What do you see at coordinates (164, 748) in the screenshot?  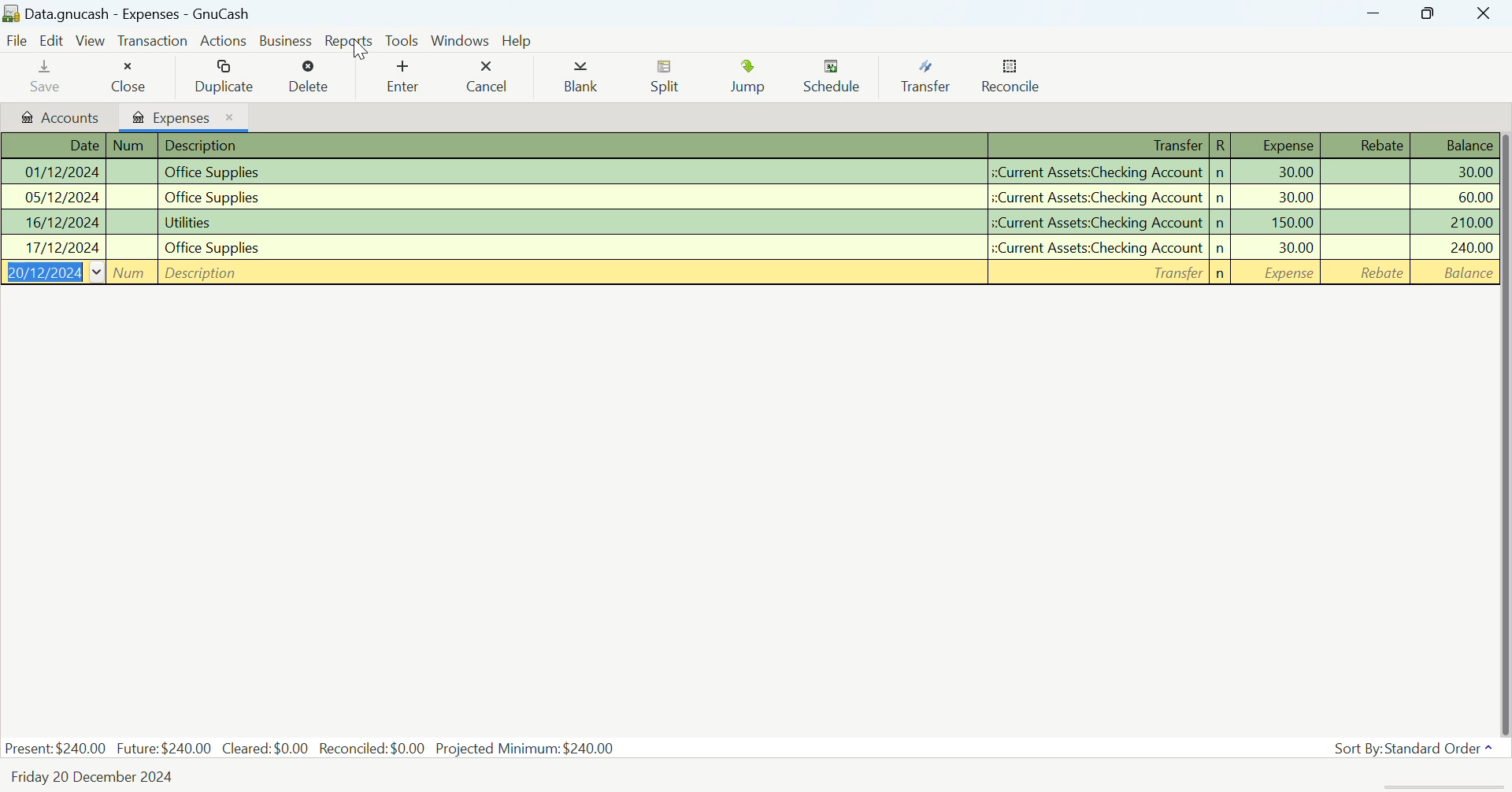 I see `Future` at bounding box center [164, 748].